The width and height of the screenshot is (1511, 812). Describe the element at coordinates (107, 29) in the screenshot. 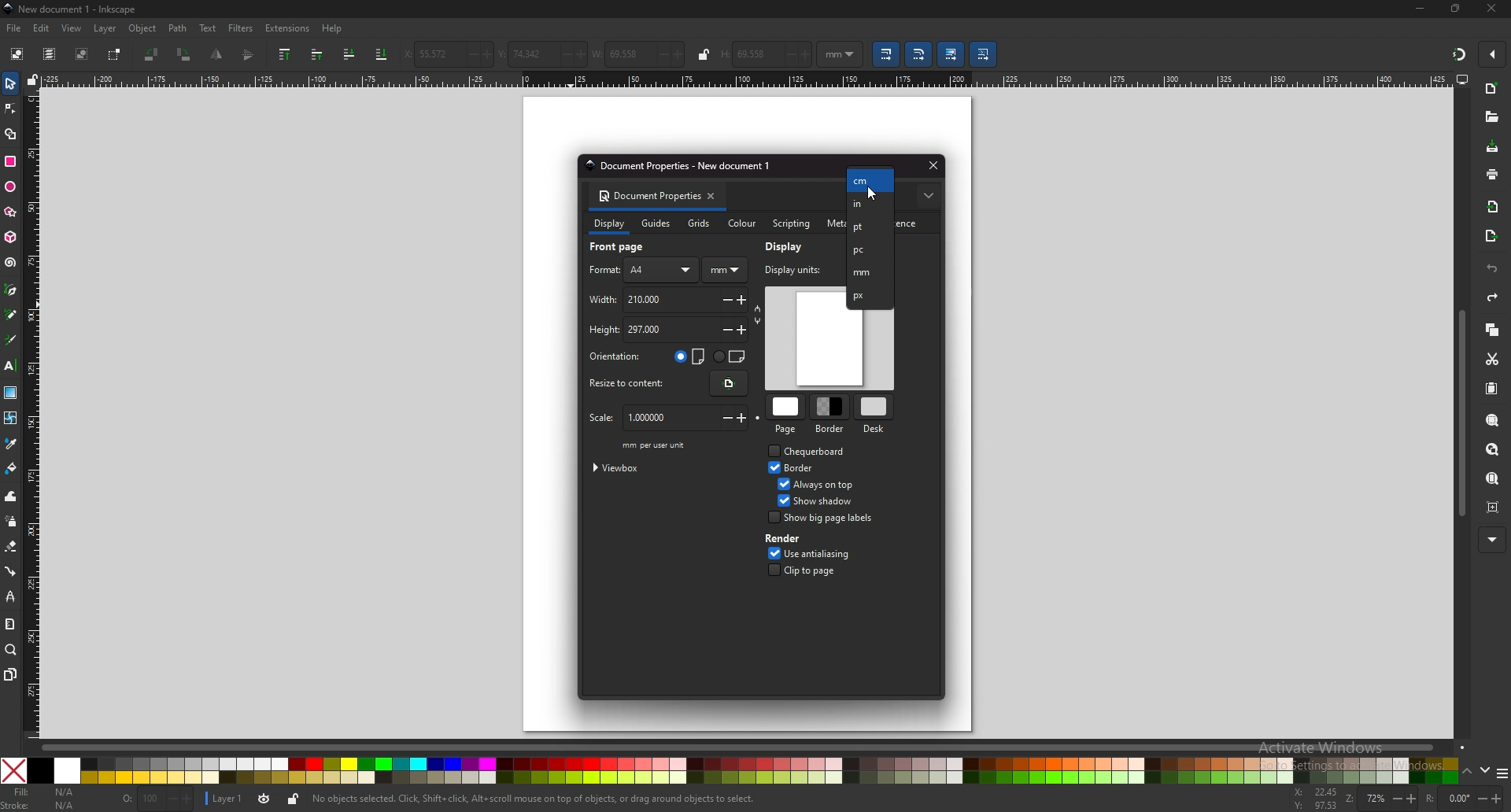

I see `layer` at that location.